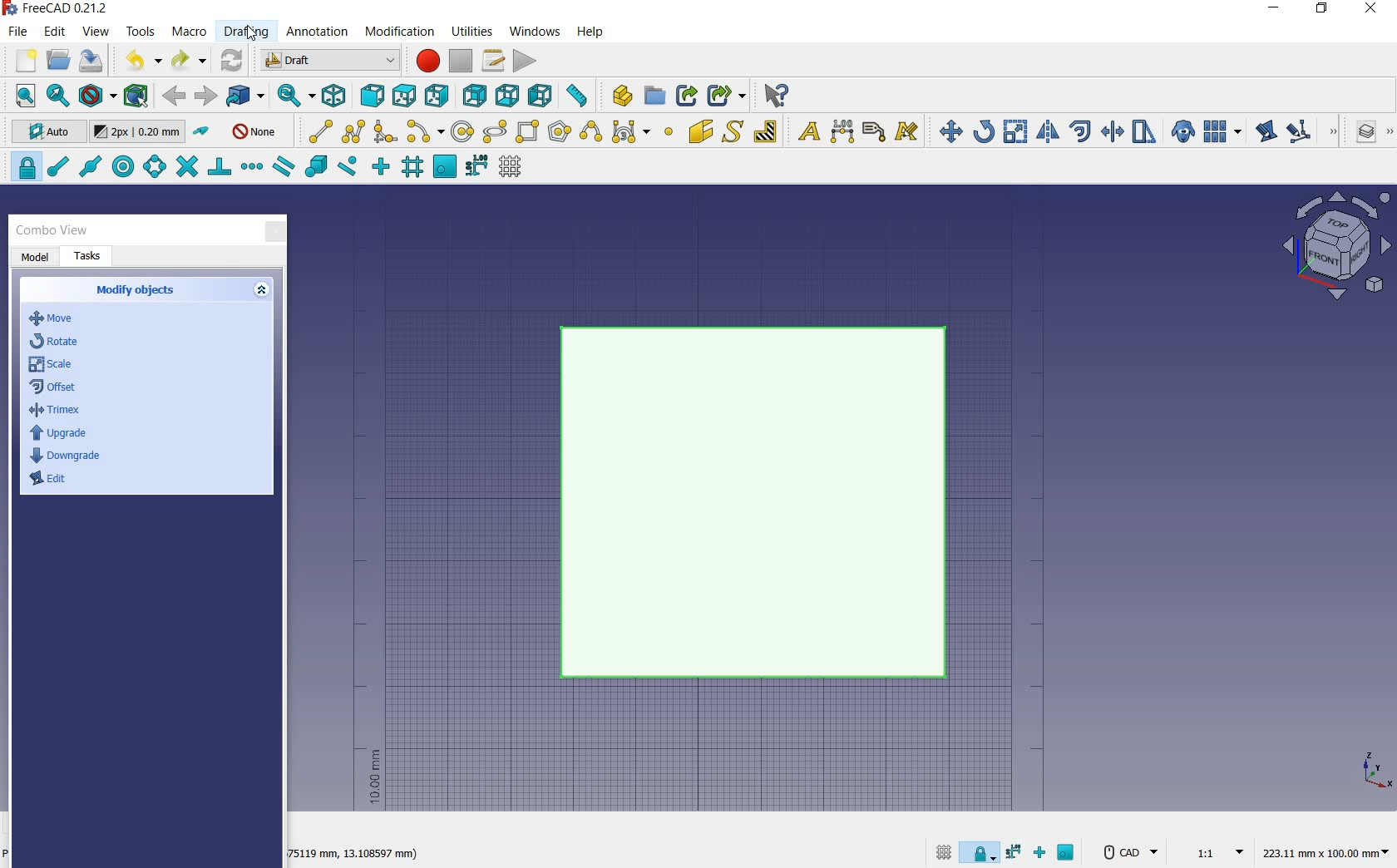 The image size is (1397, 868). What do you see at coordinates (121, 167) in the screenshot?
I see `snap center` at bounding box center [121, 167].